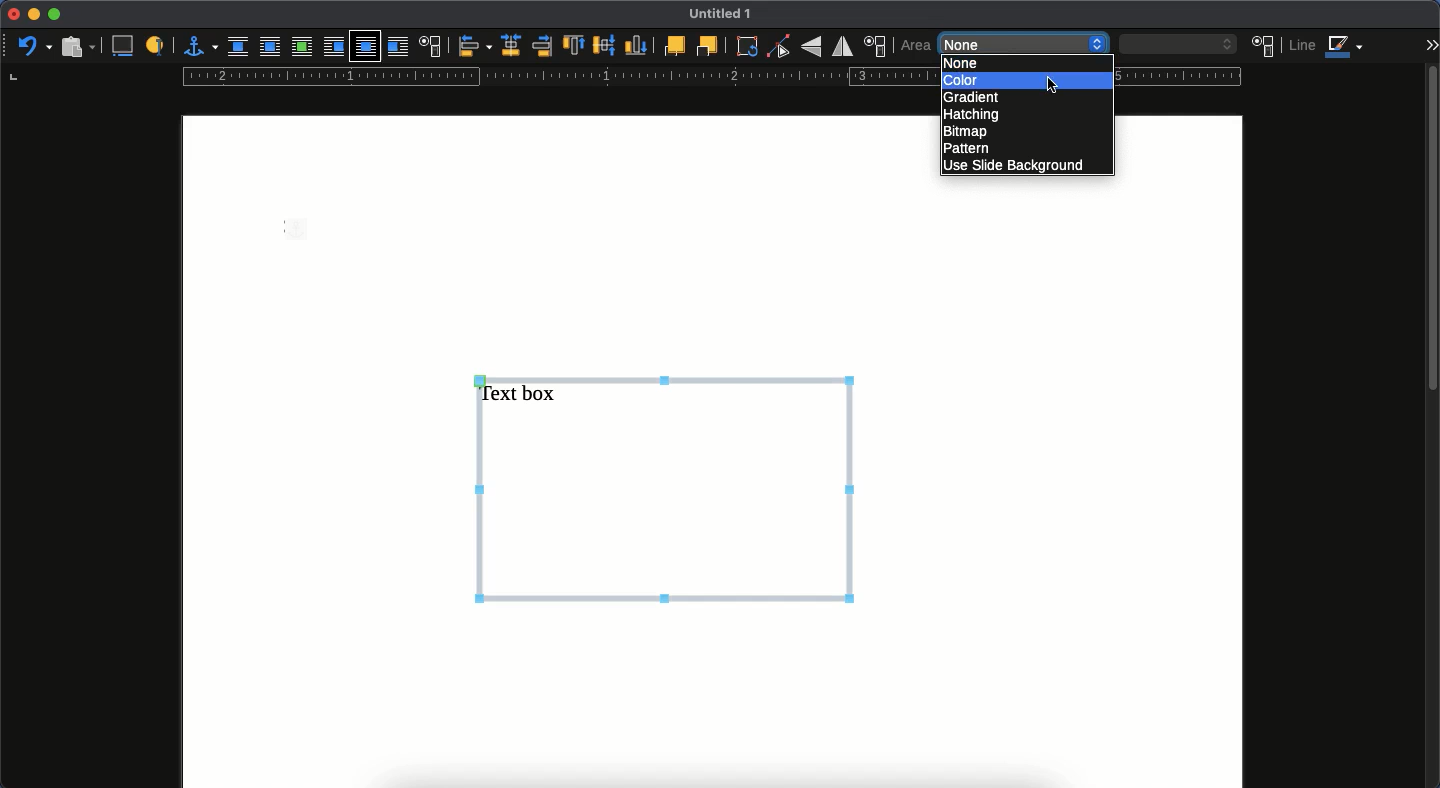 The height and width of the screenshot is (788, 1440). What do you see at coordinates (779, 47) in the screenshot?
I see `point end mode` at bounding box center [779, 47].